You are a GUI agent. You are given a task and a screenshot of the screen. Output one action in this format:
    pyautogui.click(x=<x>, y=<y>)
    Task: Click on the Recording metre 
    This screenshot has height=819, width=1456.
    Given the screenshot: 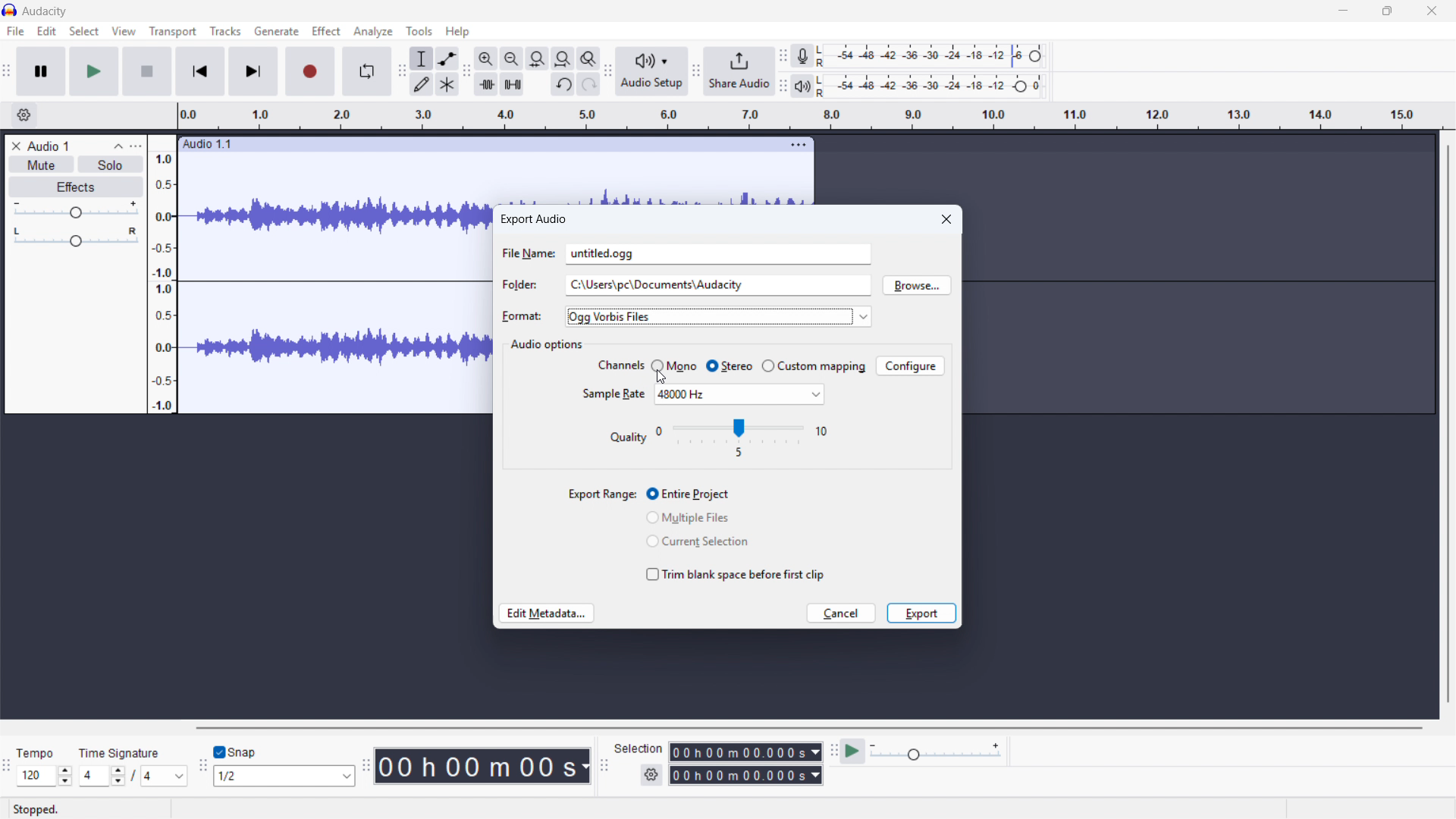 What is the action you would take?
    pyautogui.click(x=802, y=56)
    